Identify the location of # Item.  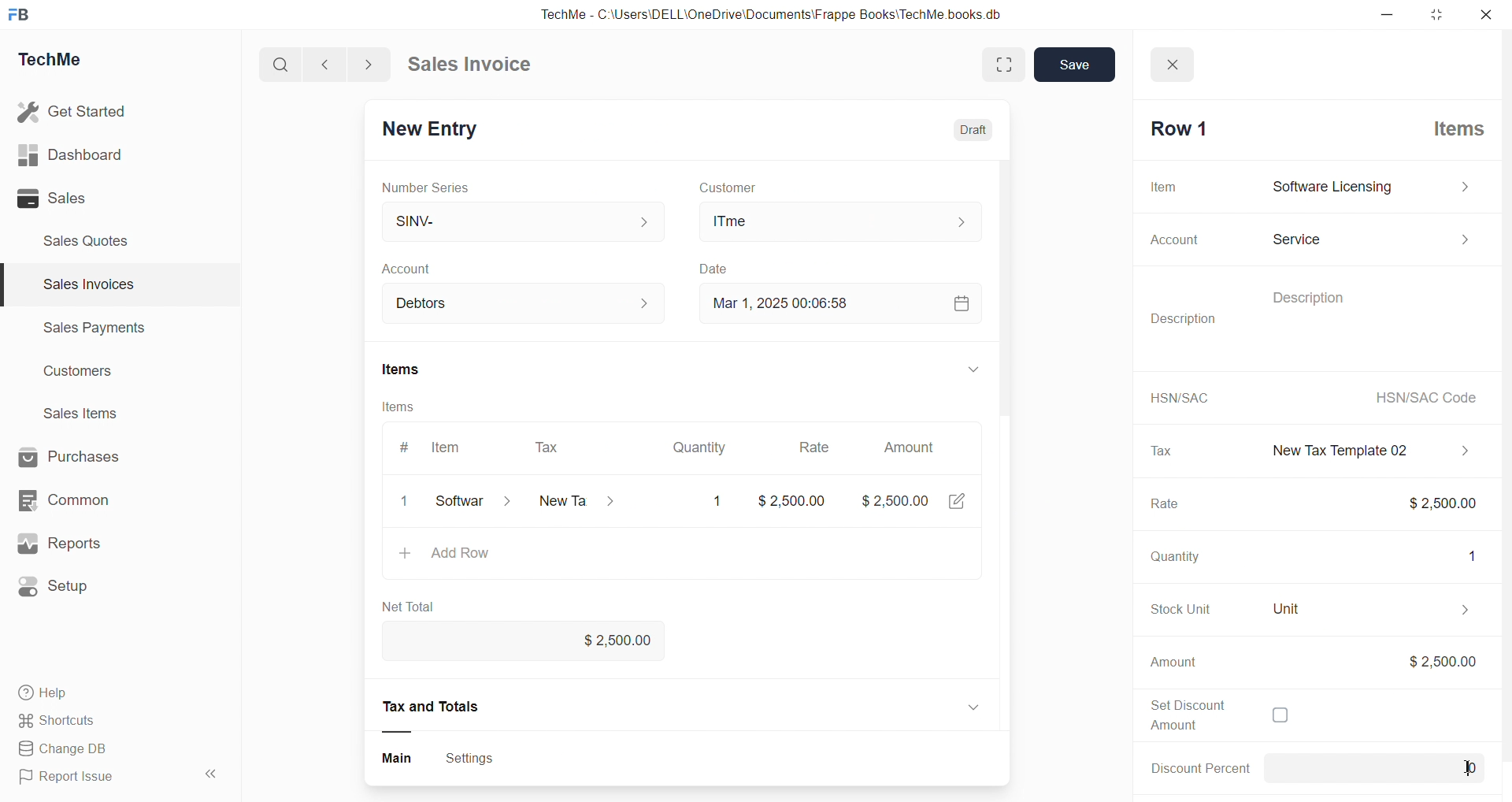
(435, 448).